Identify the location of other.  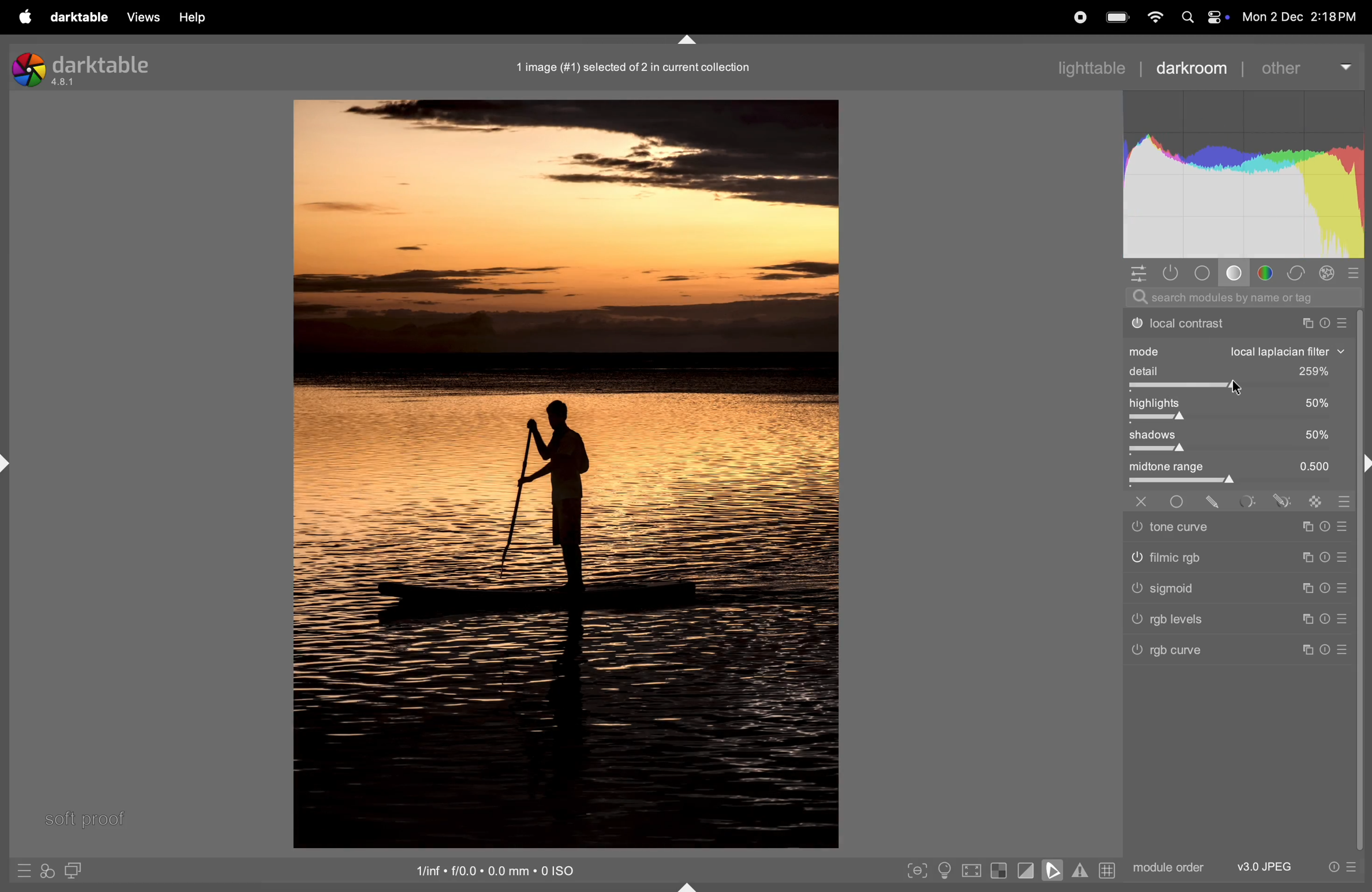
(1309, 67).